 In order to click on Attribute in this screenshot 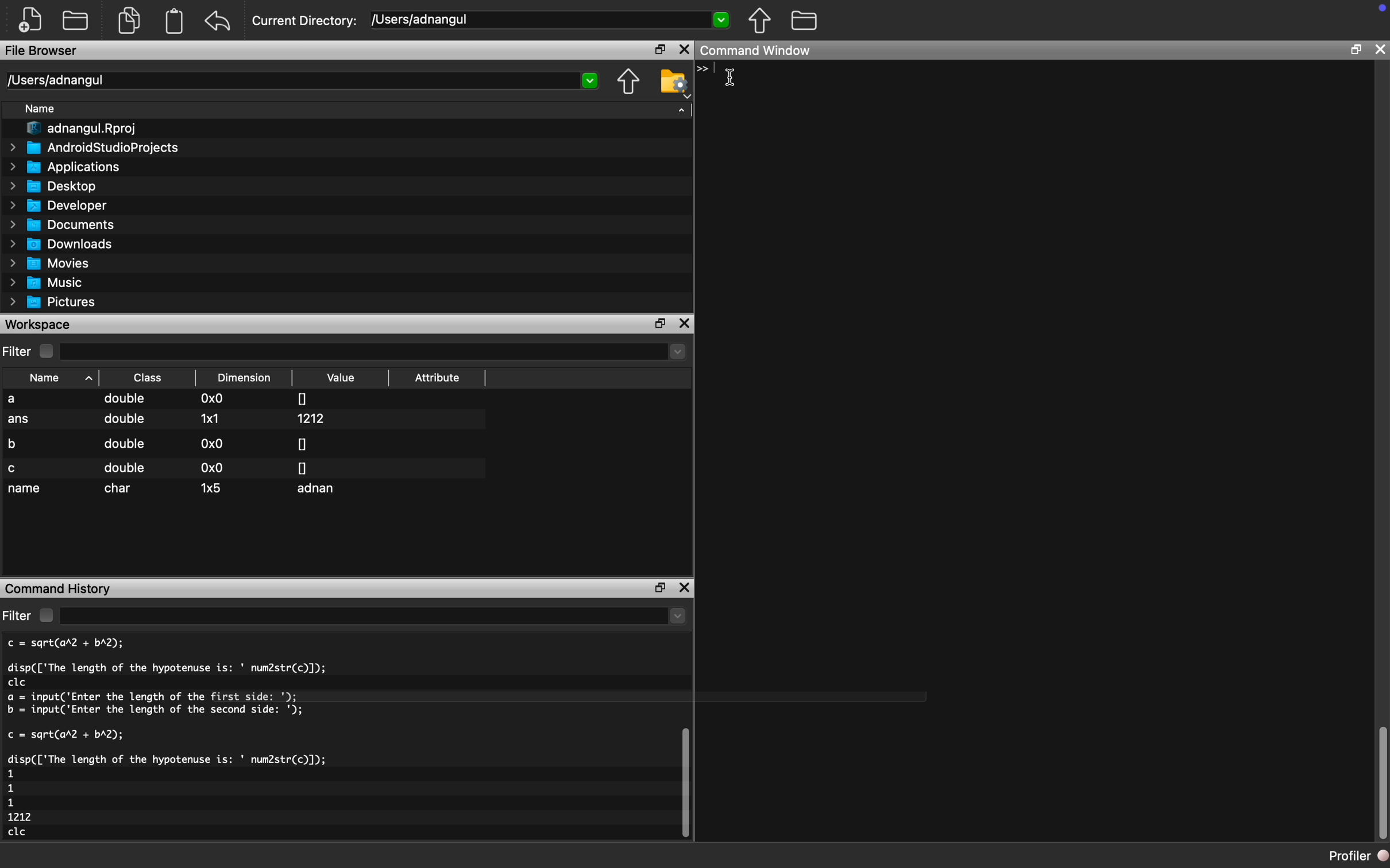, I will do `click(438, 381)`.